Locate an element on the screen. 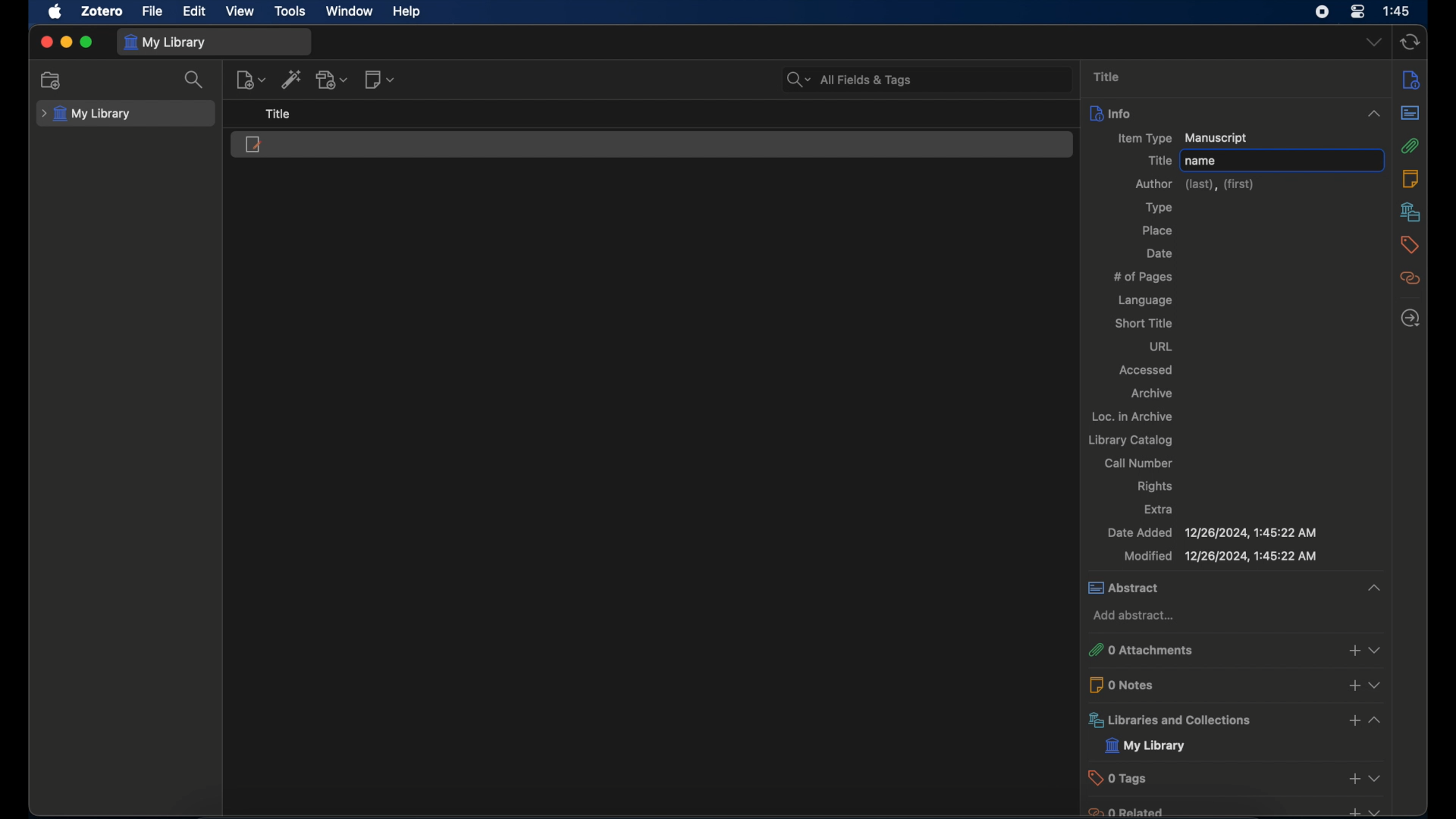 The height and width of the screenshot is (819, 1456). abstract is located at coordinates (1410, 113).